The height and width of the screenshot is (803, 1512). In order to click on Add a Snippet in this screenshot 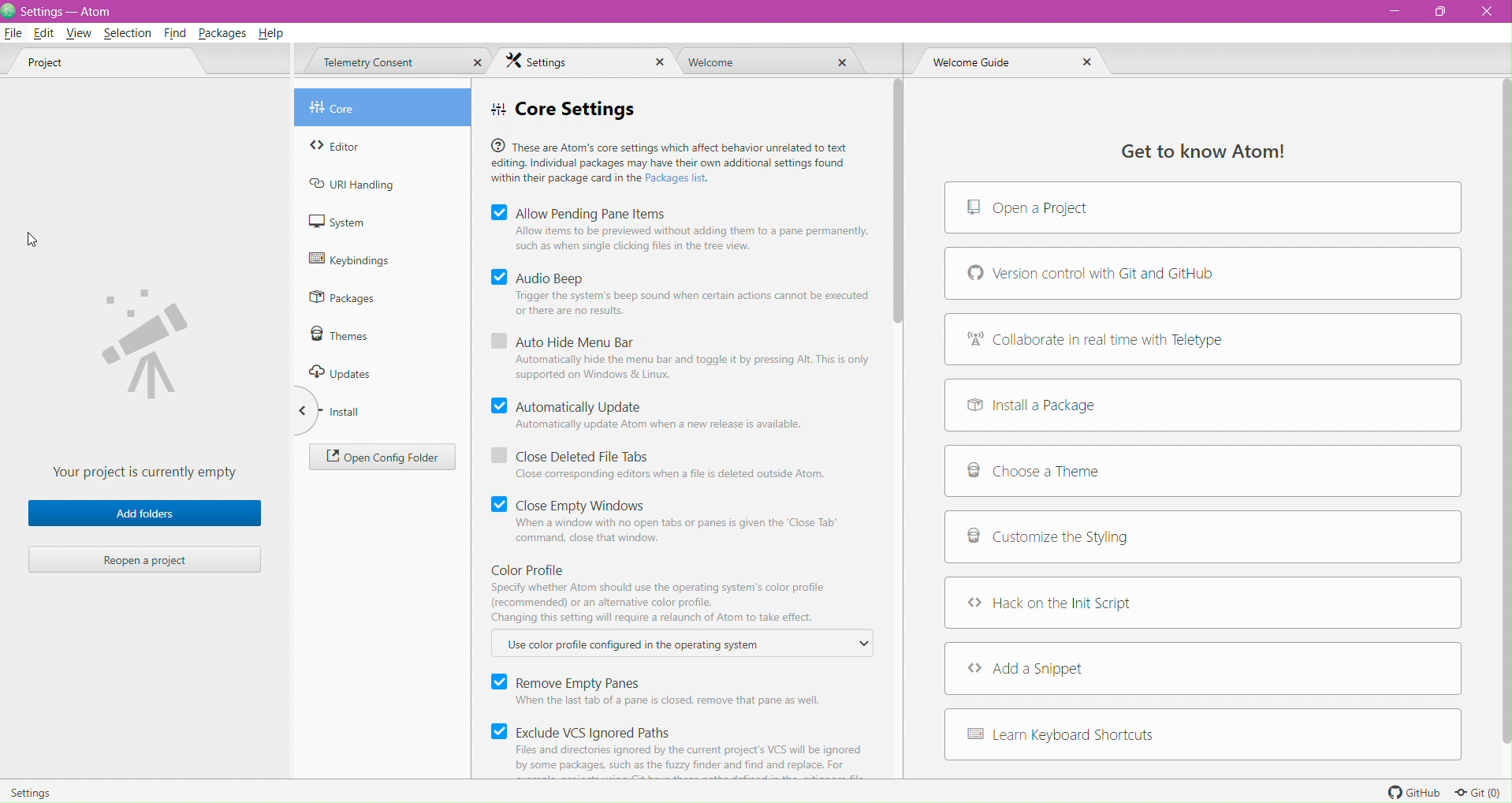, I will do `click(1204, 667)`.